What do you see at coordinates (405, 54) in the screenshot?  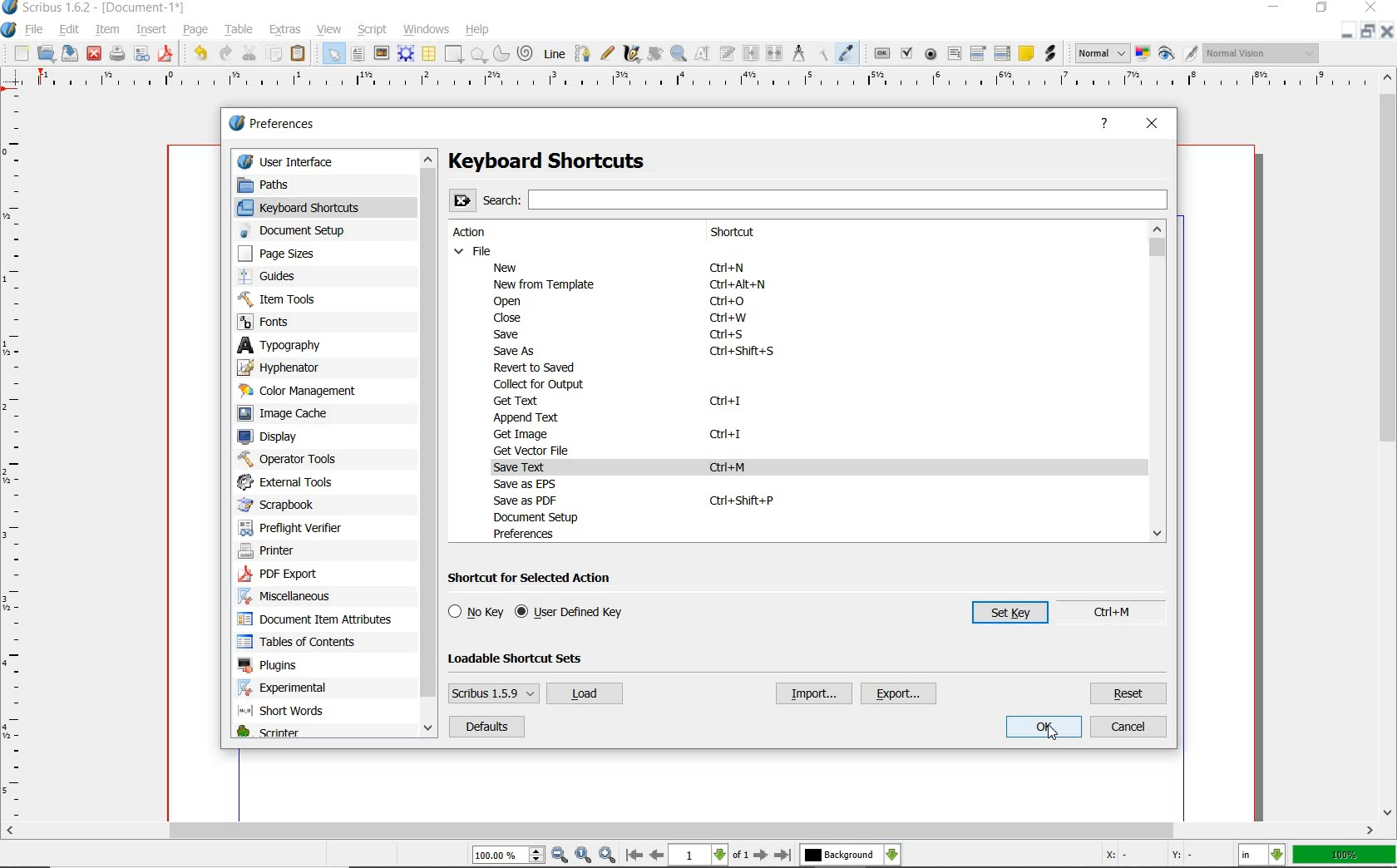 I see `render frame` at bounding box center [405, 54].